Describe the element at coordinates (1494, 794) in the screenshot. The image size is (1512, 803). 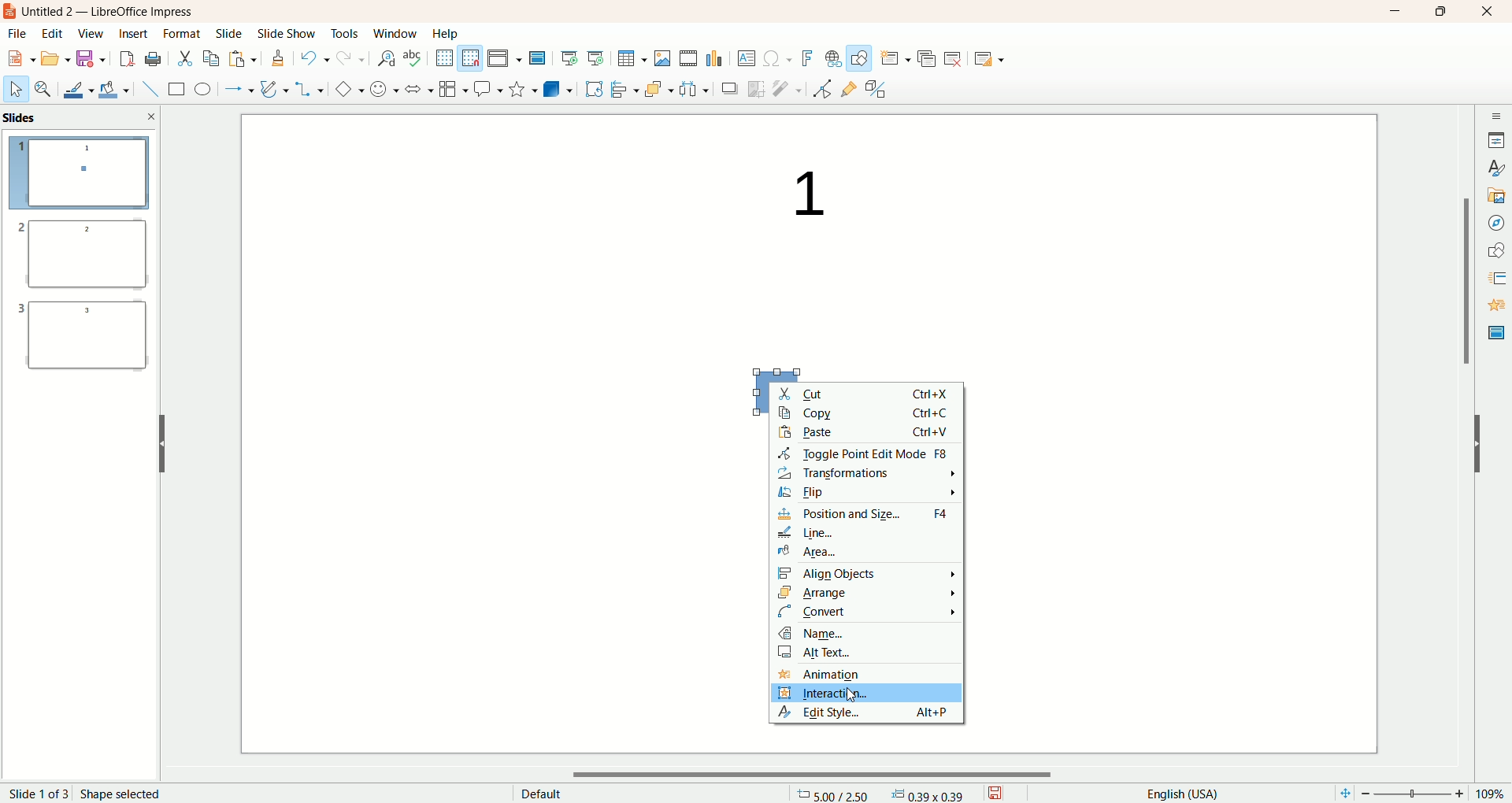
I see `zoom percentage` at that location.